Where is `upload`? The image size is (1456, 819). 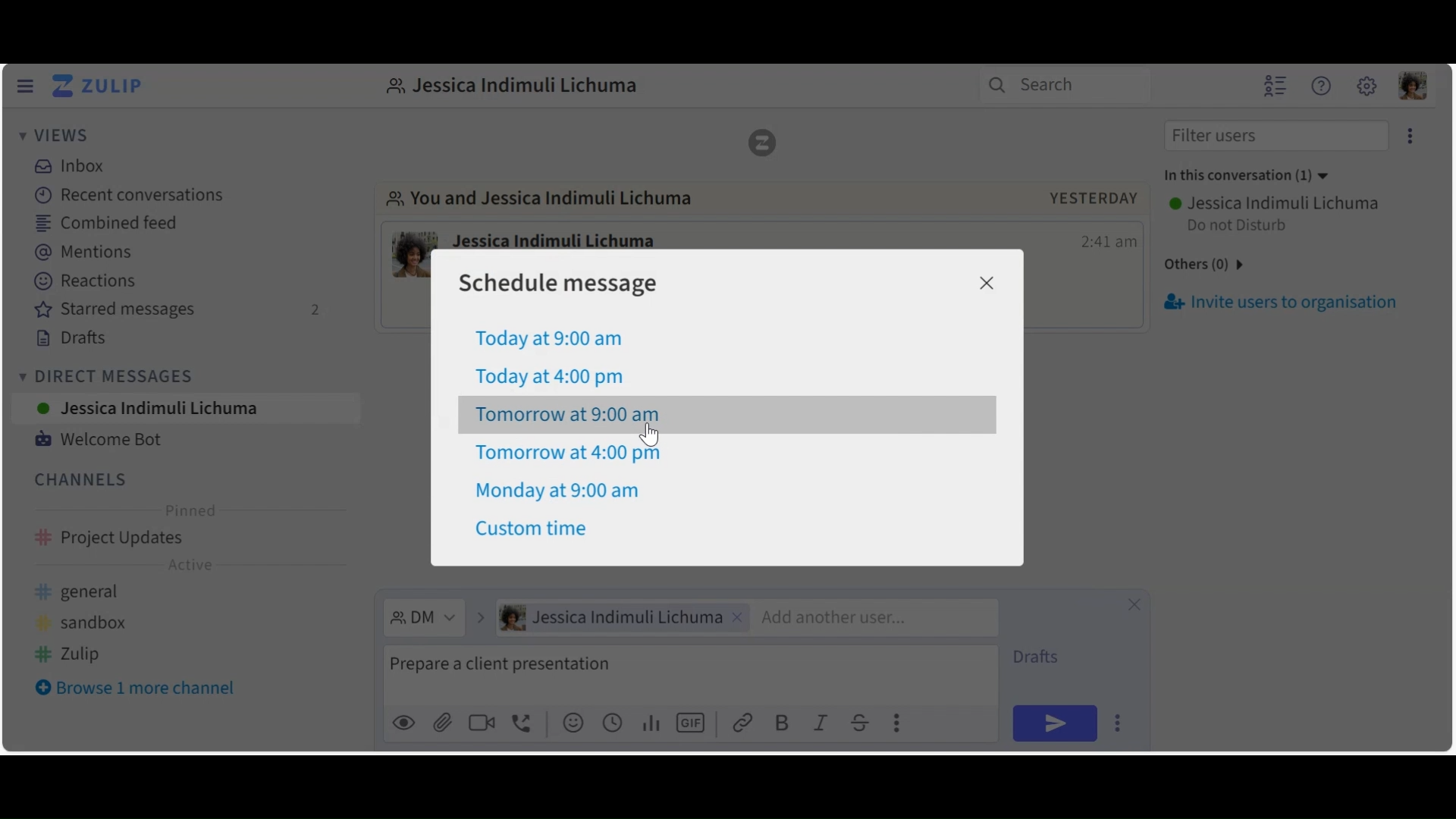
upload is located at coordinates (443, 725).